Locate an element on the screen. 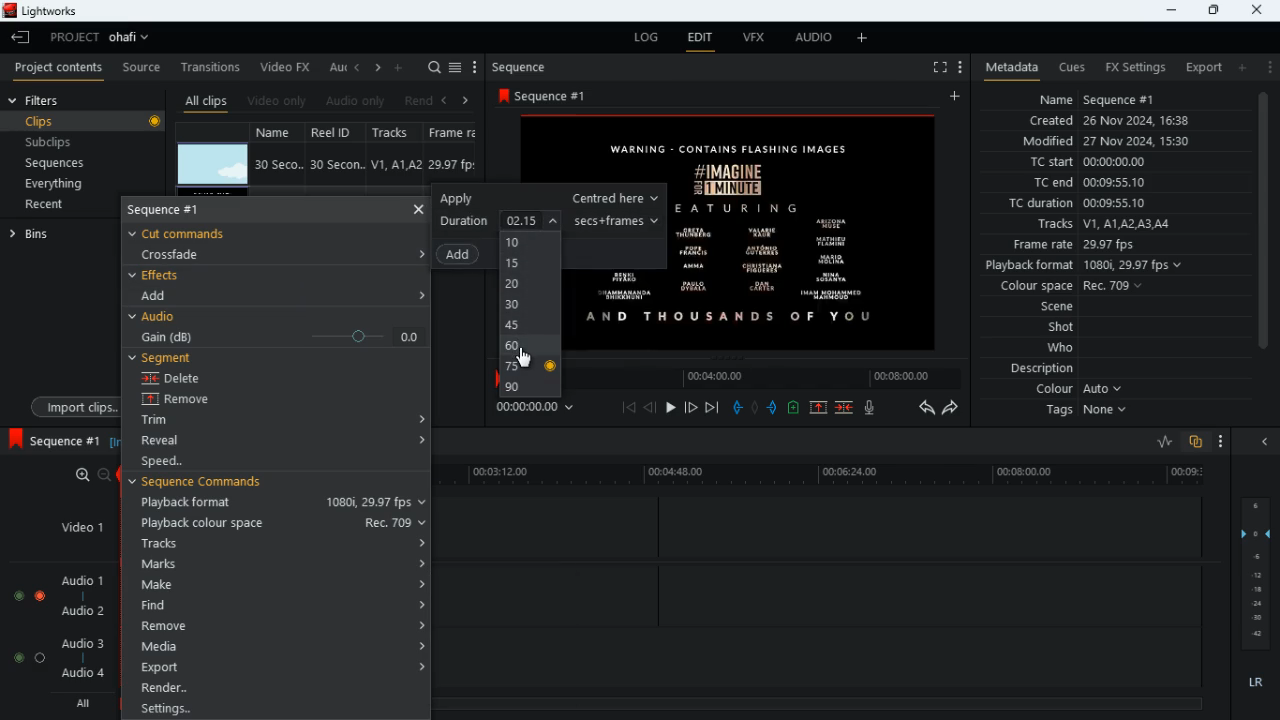 The width and height of the screenshot is (1280, 720). add is located at coordinates (163, 295).